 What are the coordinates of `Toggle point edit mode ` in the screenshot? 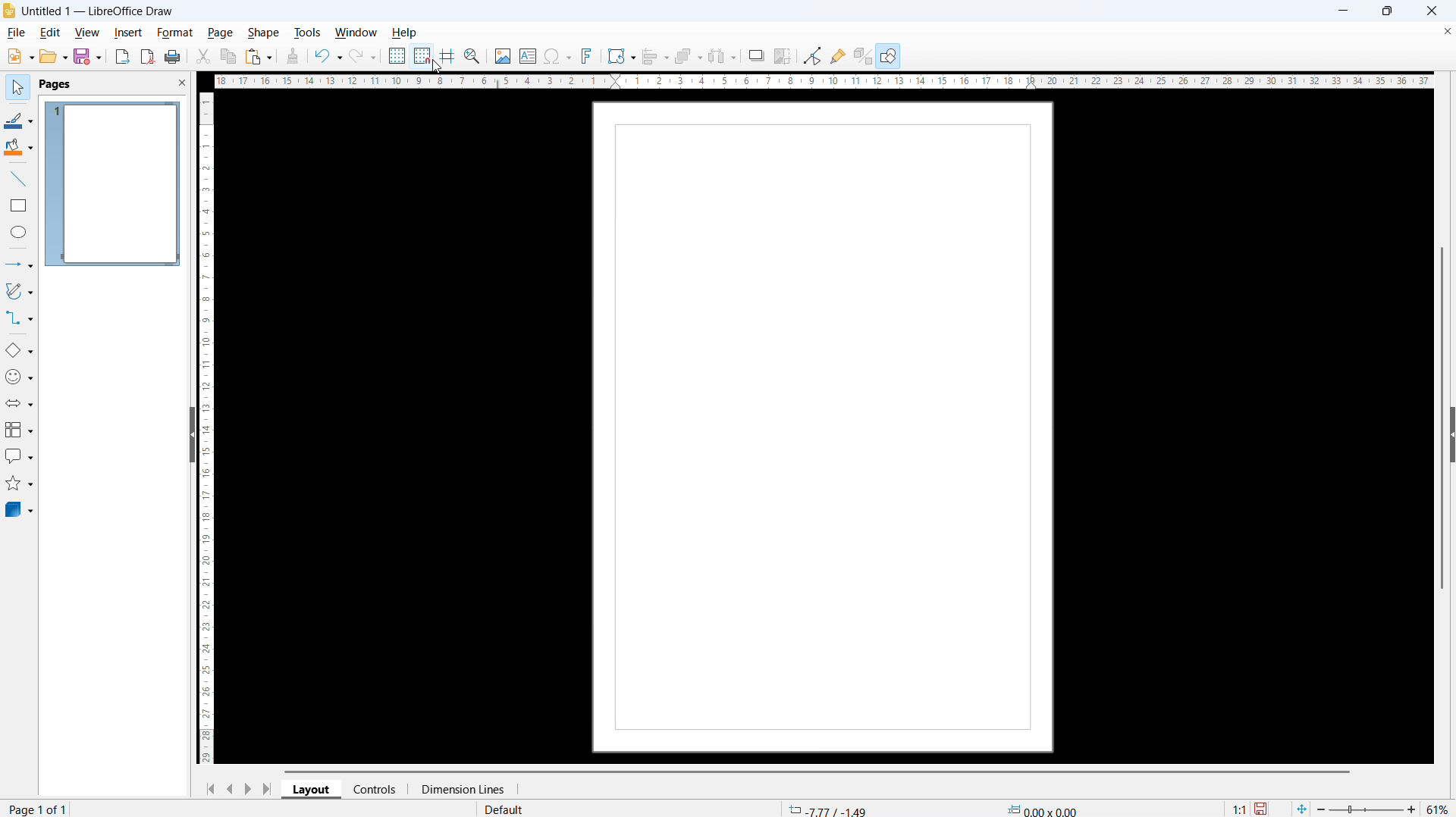 It's located at (812, 55).